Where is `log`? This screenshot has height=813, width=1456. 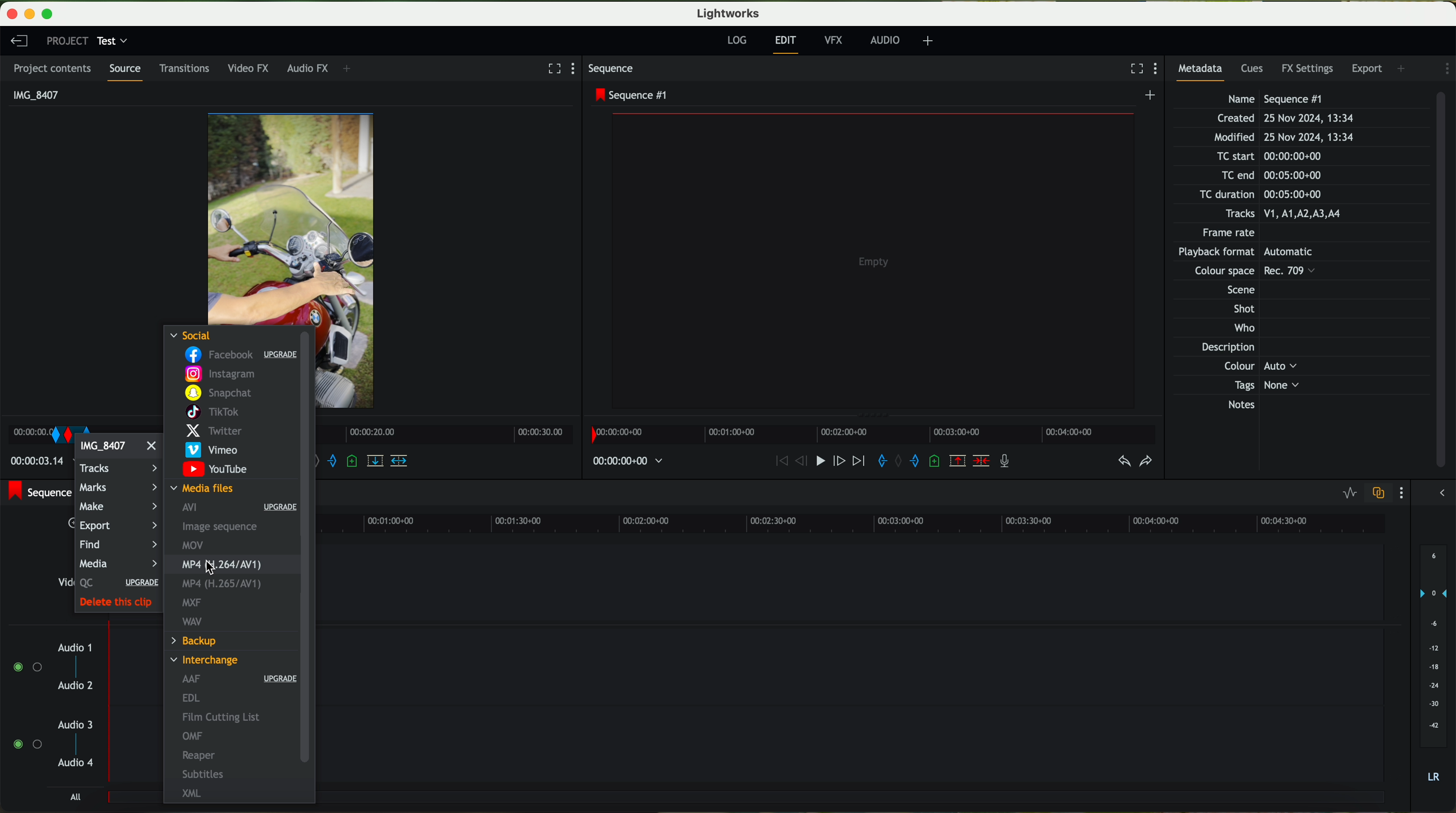
log is located at coordinates (738, 41).